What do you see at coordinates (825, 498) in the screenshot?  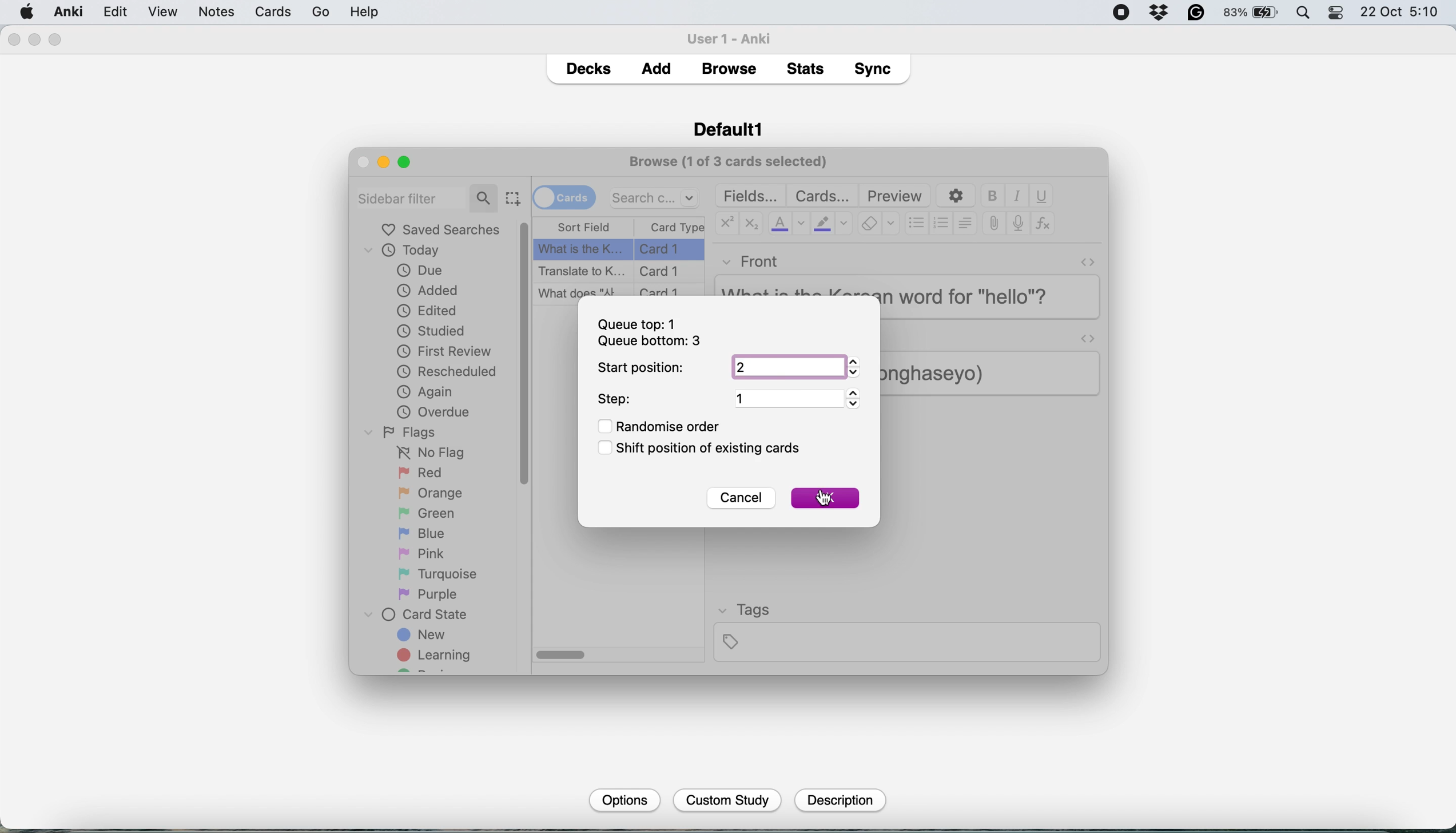 I see `ok` at bounding box center [825, 498].